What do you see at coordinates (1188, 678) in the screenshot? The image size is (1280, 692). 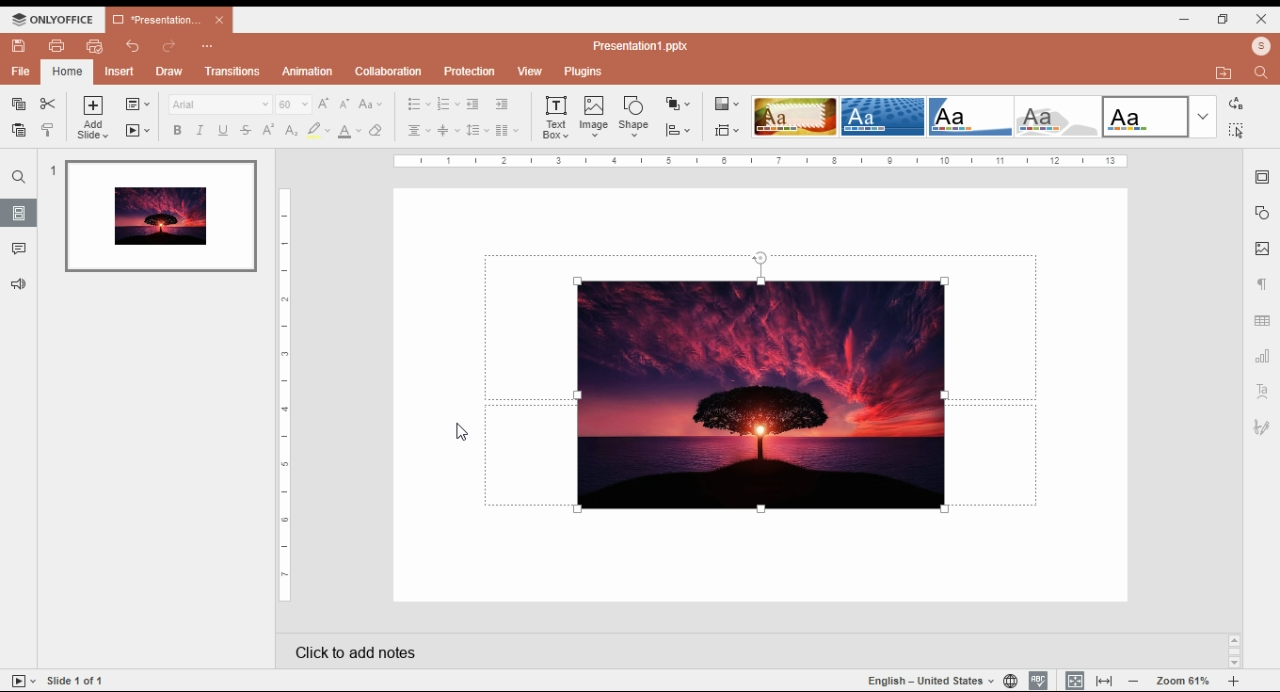 I see `Zoom` at bounding box center [1188, 678].